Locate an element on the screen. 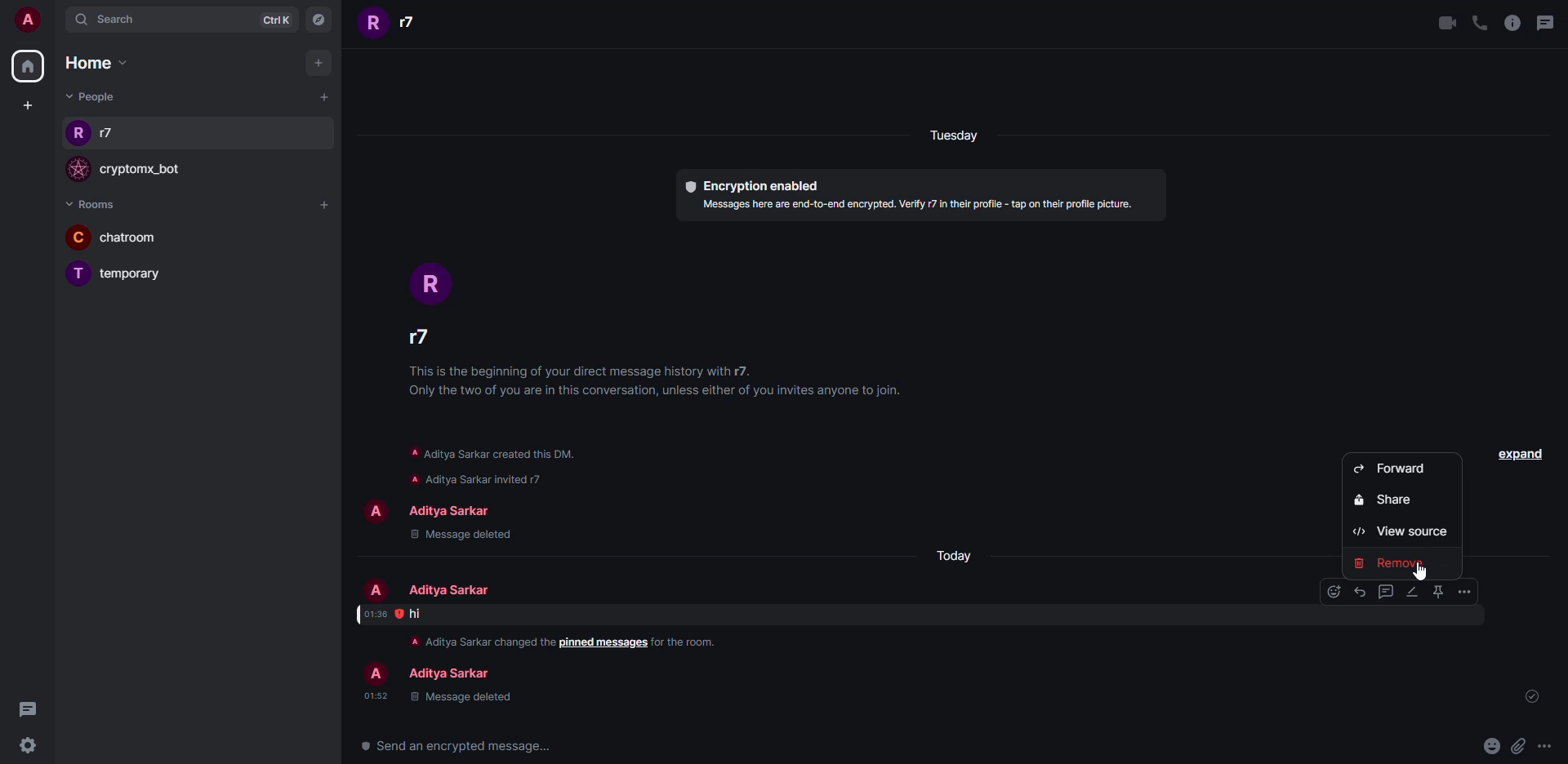 The height and width of the screenshot is (764, 1568). people is located at coordinates (430, 341).